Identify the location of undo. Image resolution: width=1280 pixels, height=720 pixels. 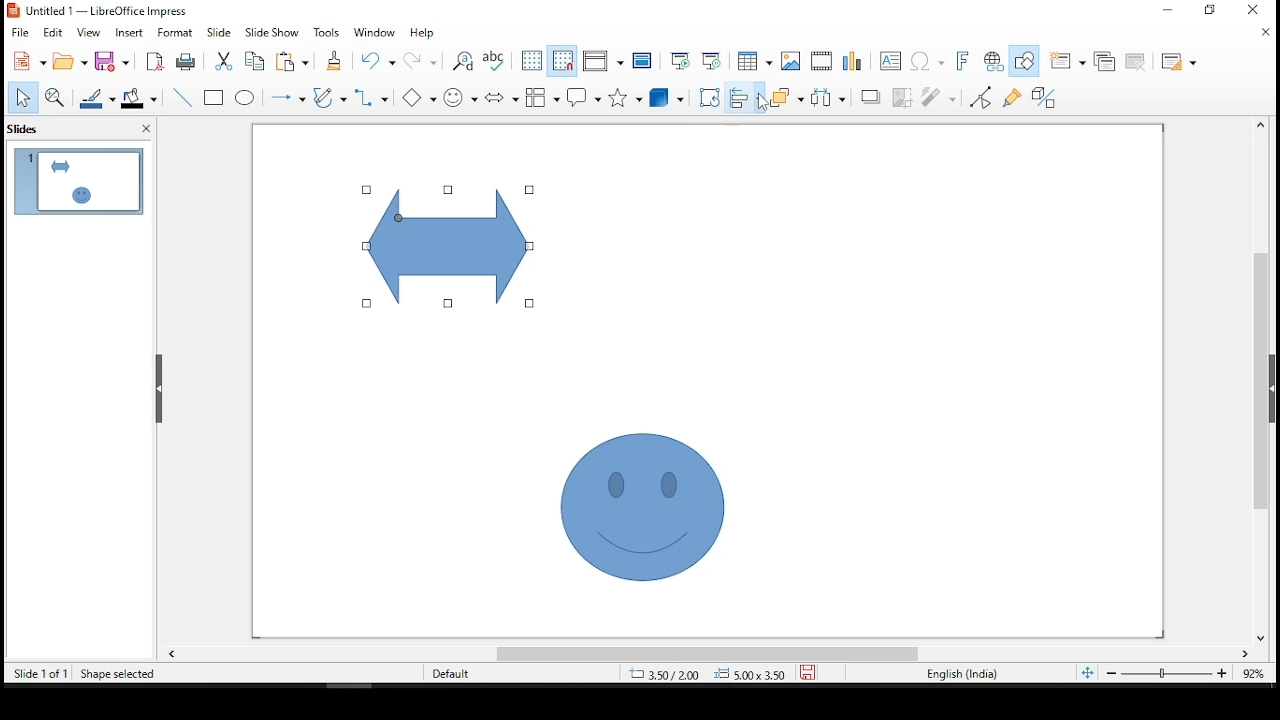
(379, 62).